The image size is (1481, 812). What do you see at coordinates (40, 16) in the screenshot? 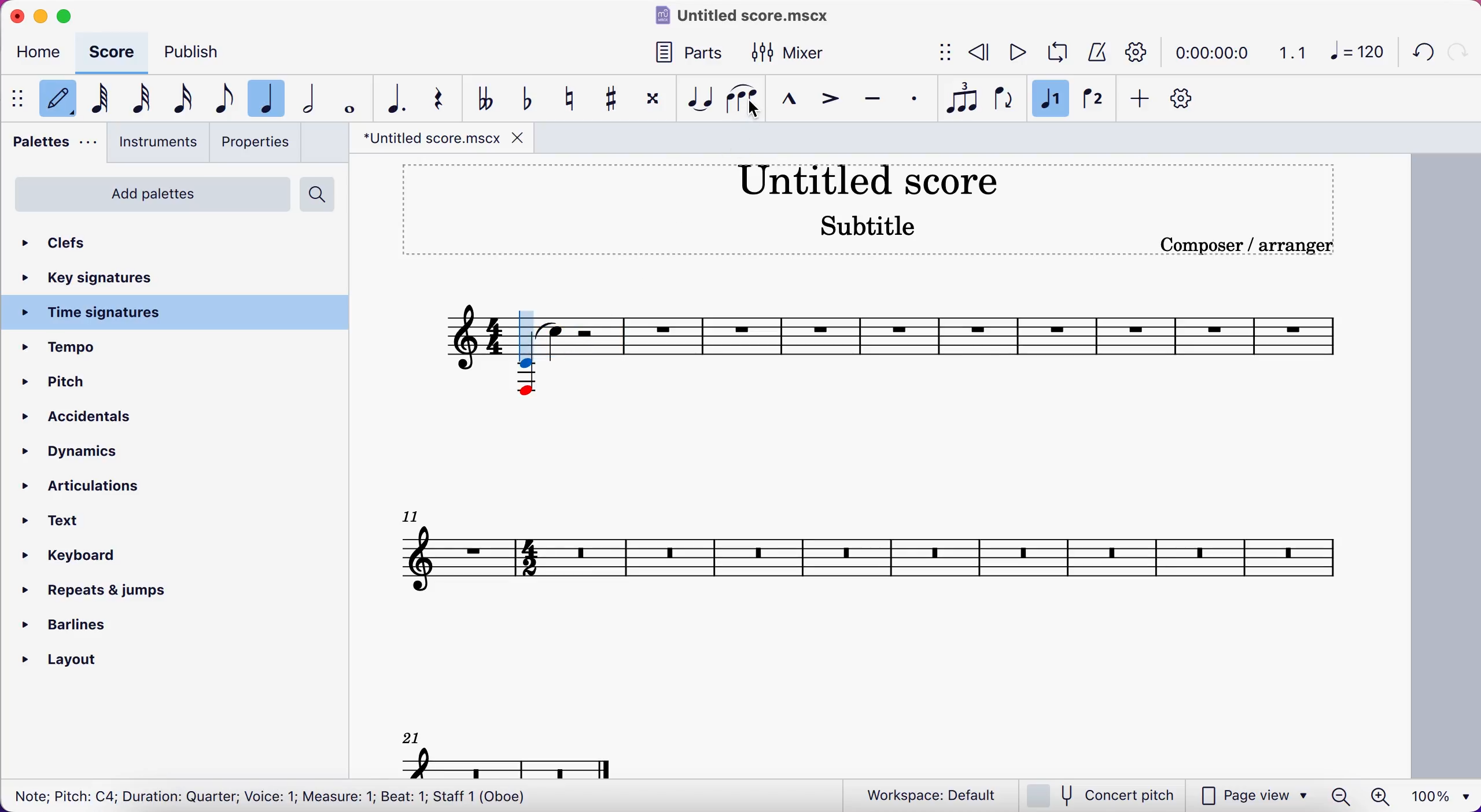
I see `minimize` at bounding box center [40, 16].